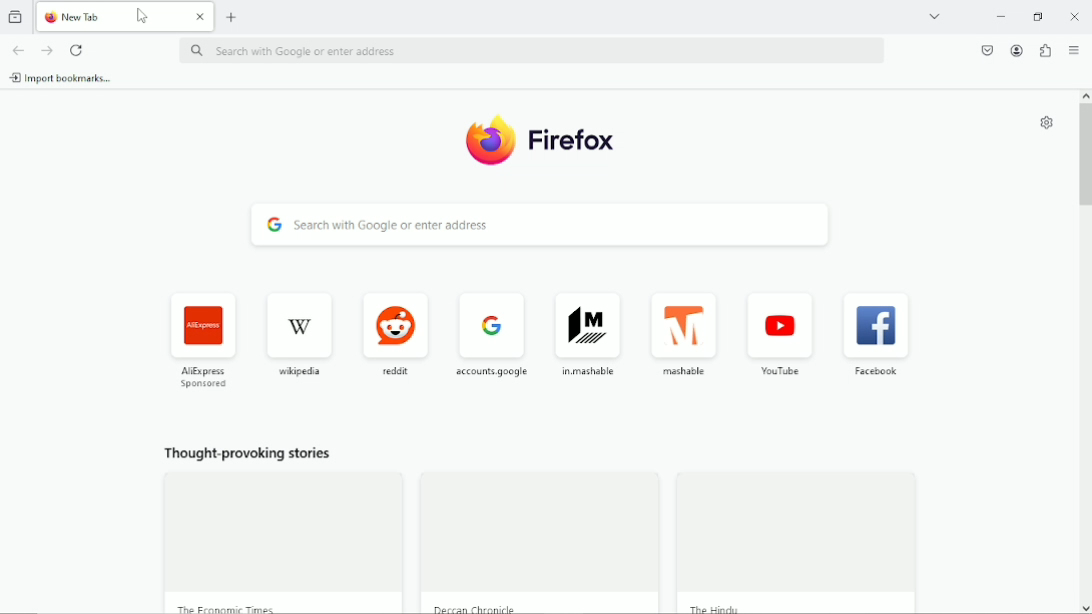 This screenshot has width=1092, height=614. I want to click on facebook, so click(879, 338).